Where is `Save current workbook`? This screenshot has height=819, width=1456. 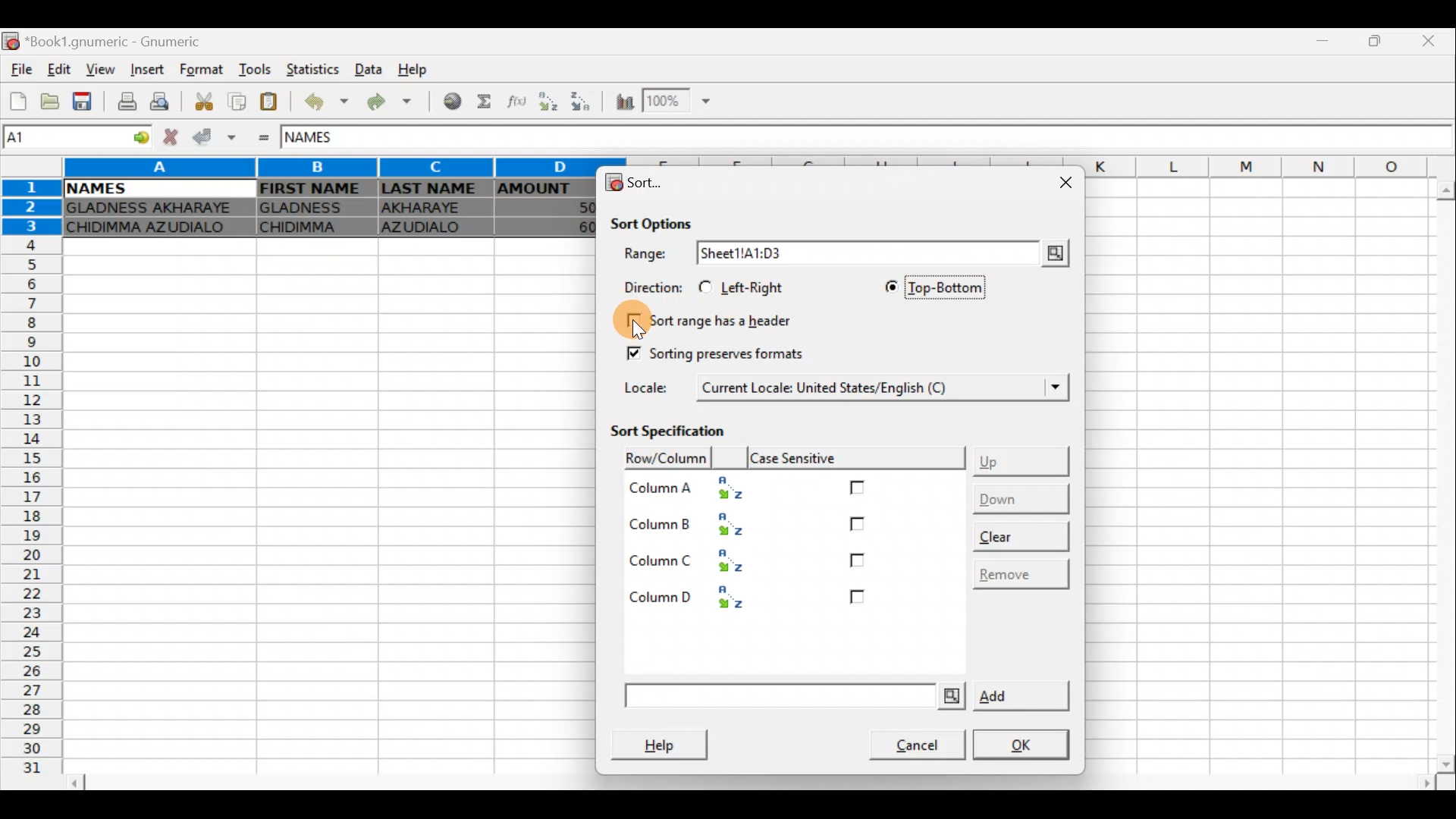 Save current workbook is located at coordinates (85, 100).